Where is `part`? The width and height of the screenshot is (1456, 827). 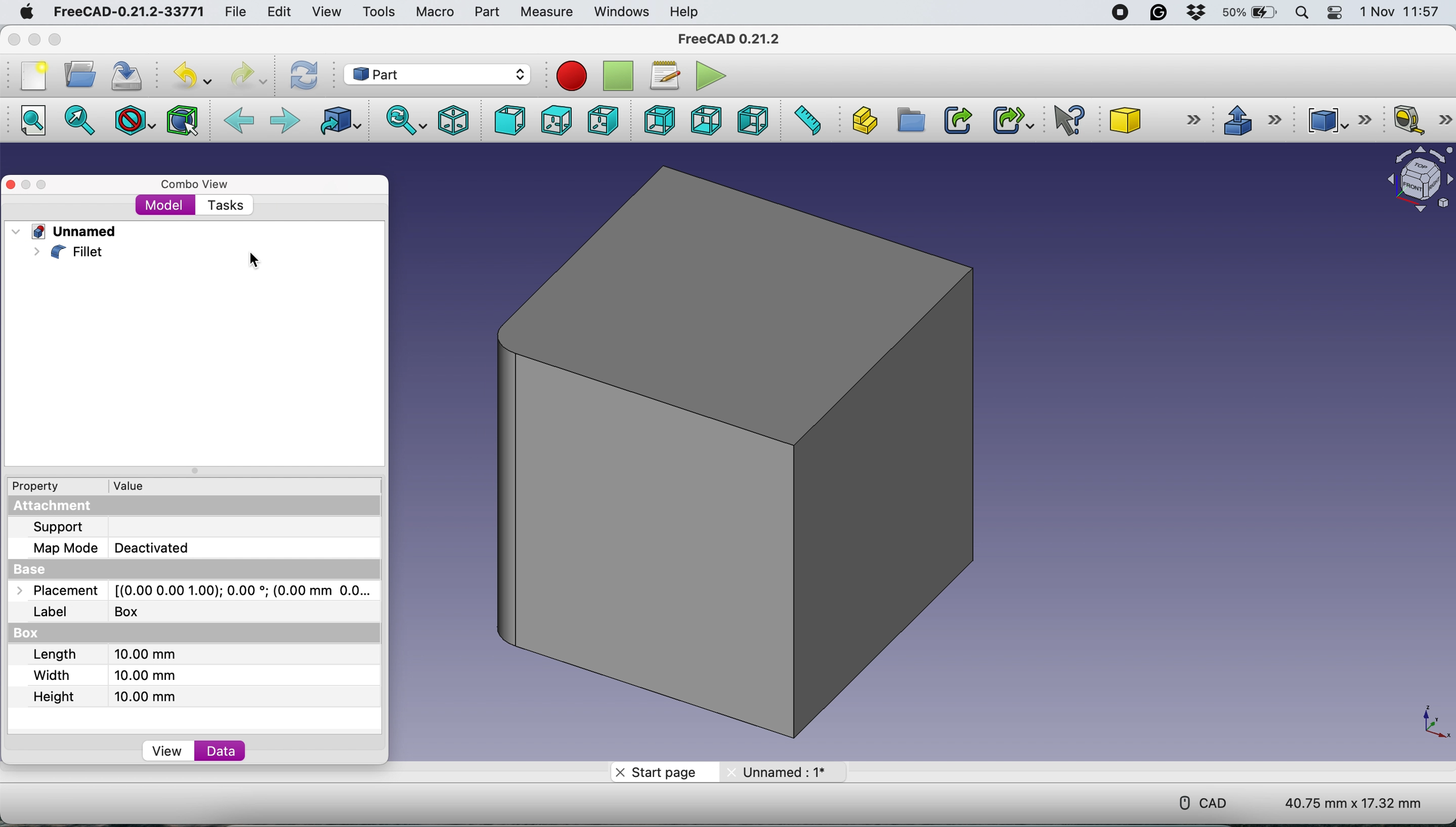
part is located at coordinates (486, 11).